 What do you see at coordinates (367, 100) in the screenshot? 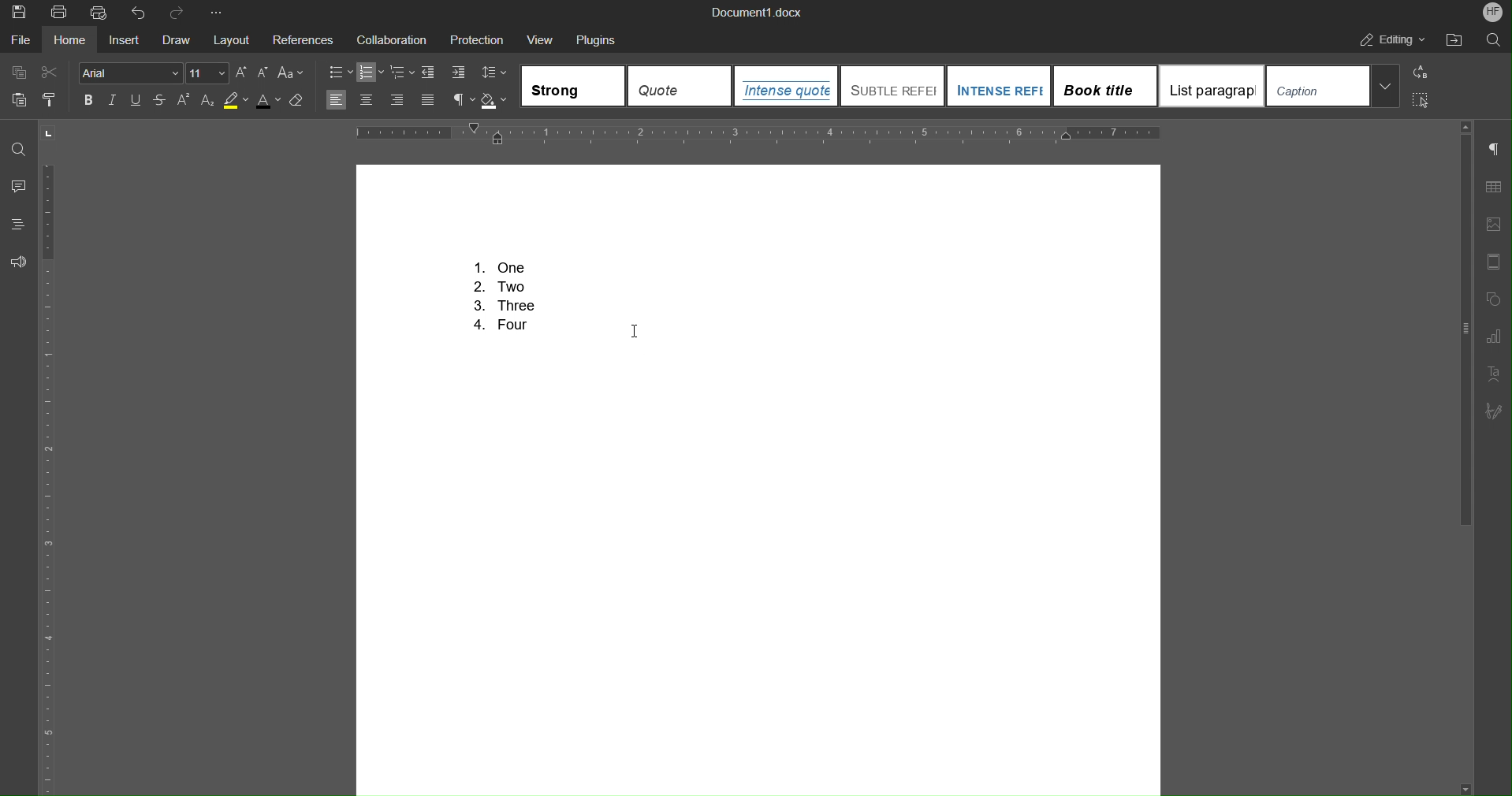
I see `Centre Align` at bounding box center [367, 100].